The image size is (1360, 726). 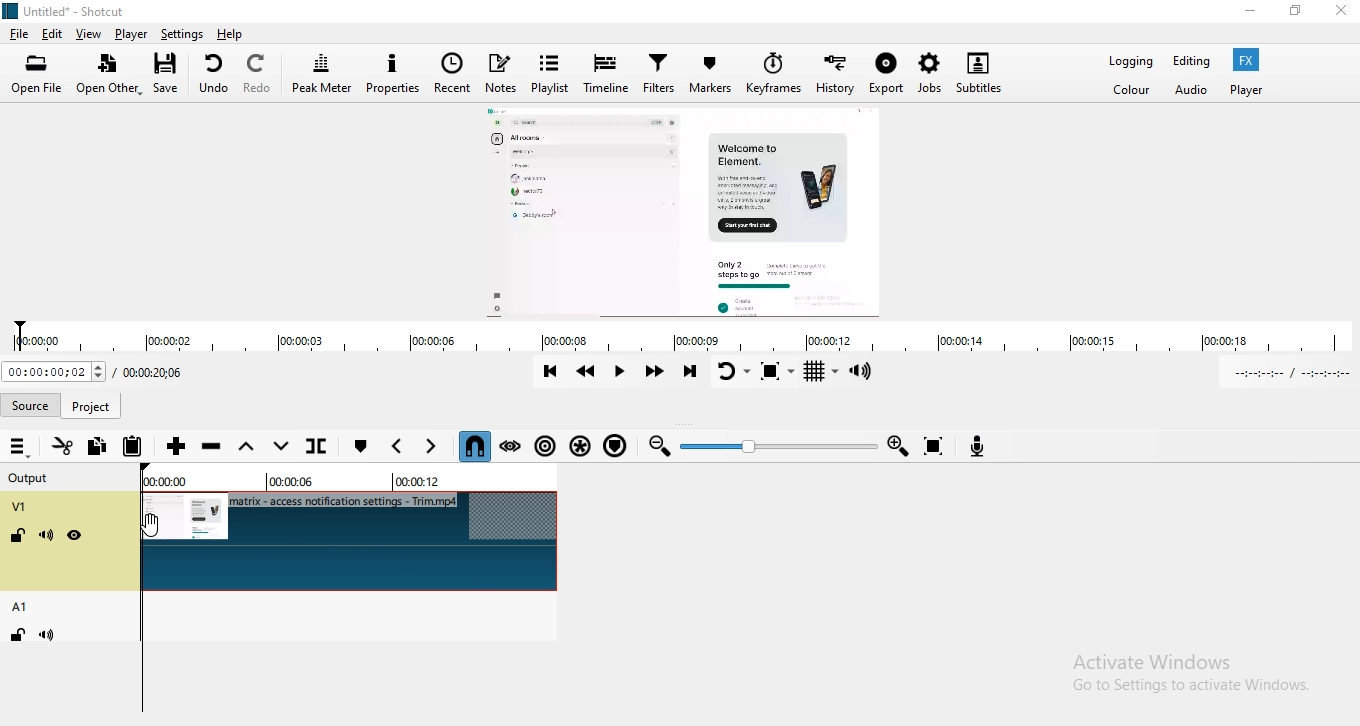 I want to click on V1, so click(x=19, y=506).